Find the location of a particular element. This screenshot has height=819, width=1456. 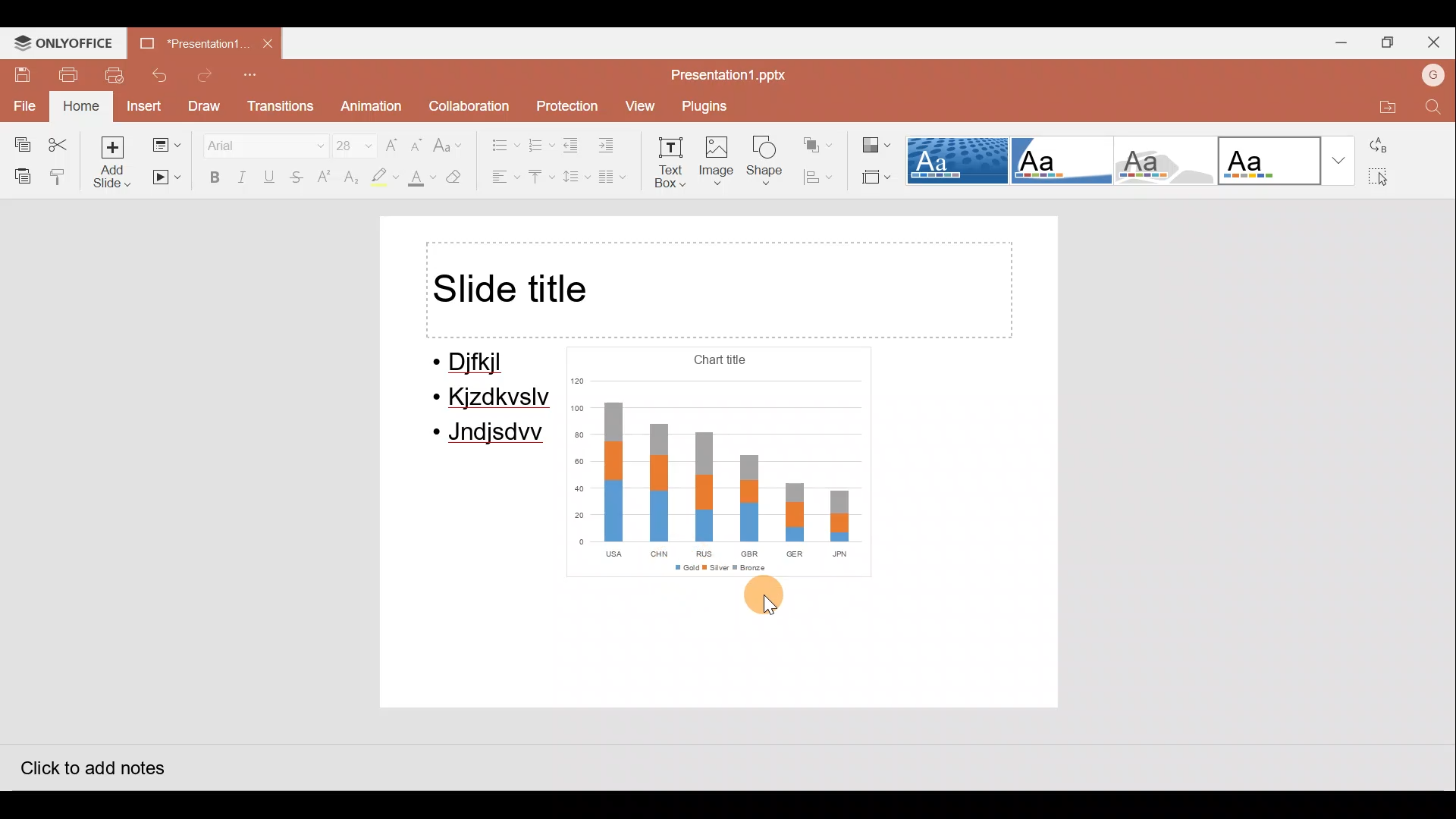

Font size is located at coordinates (346, 142).